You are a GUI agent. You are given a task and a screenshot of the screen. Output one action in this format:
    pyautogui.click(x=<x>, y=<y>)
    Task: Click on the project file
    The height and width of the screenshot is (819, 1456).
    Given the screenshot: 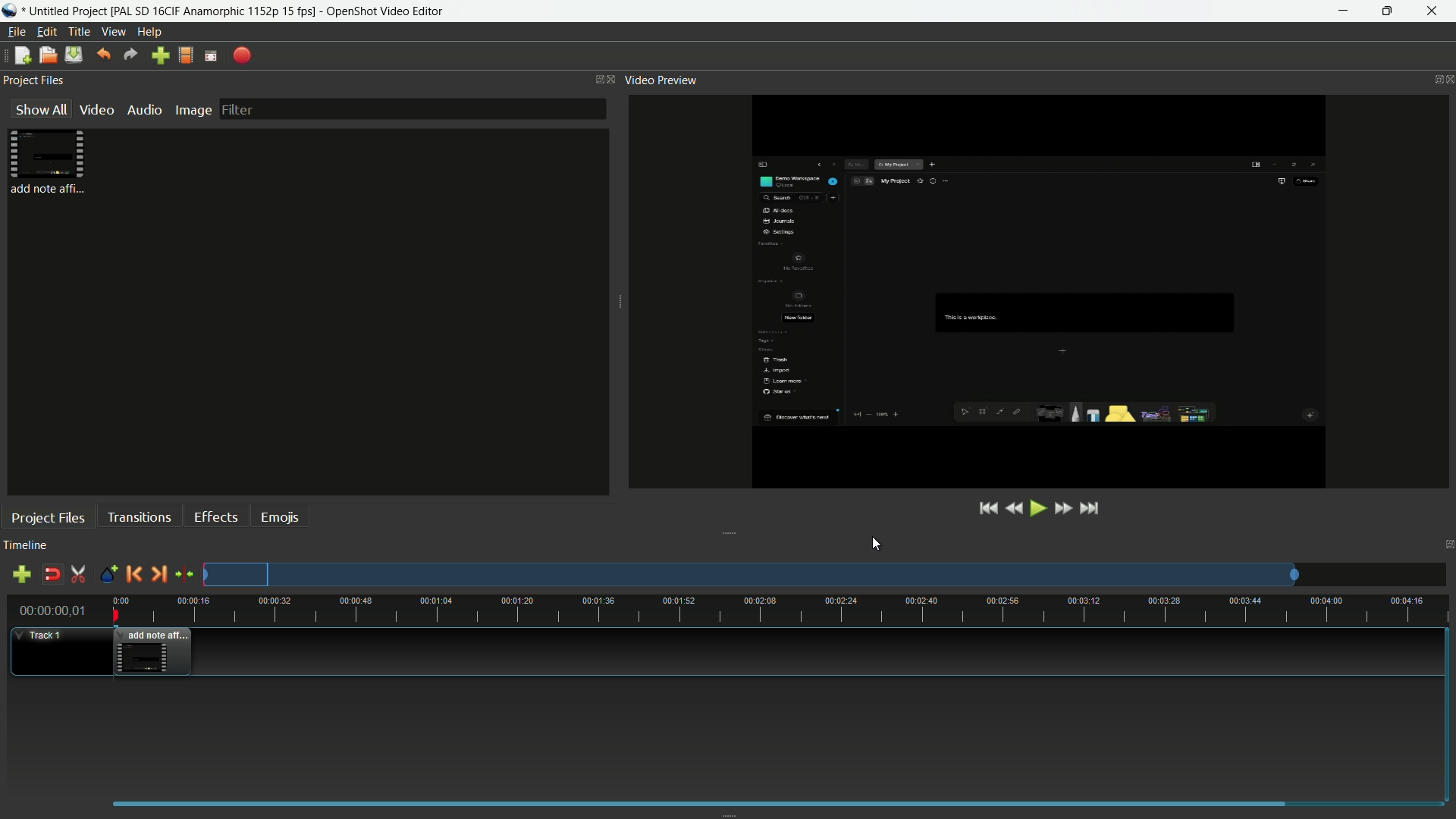 What is the action you would take?
    pyautogui.click(x=51, y=162)
    